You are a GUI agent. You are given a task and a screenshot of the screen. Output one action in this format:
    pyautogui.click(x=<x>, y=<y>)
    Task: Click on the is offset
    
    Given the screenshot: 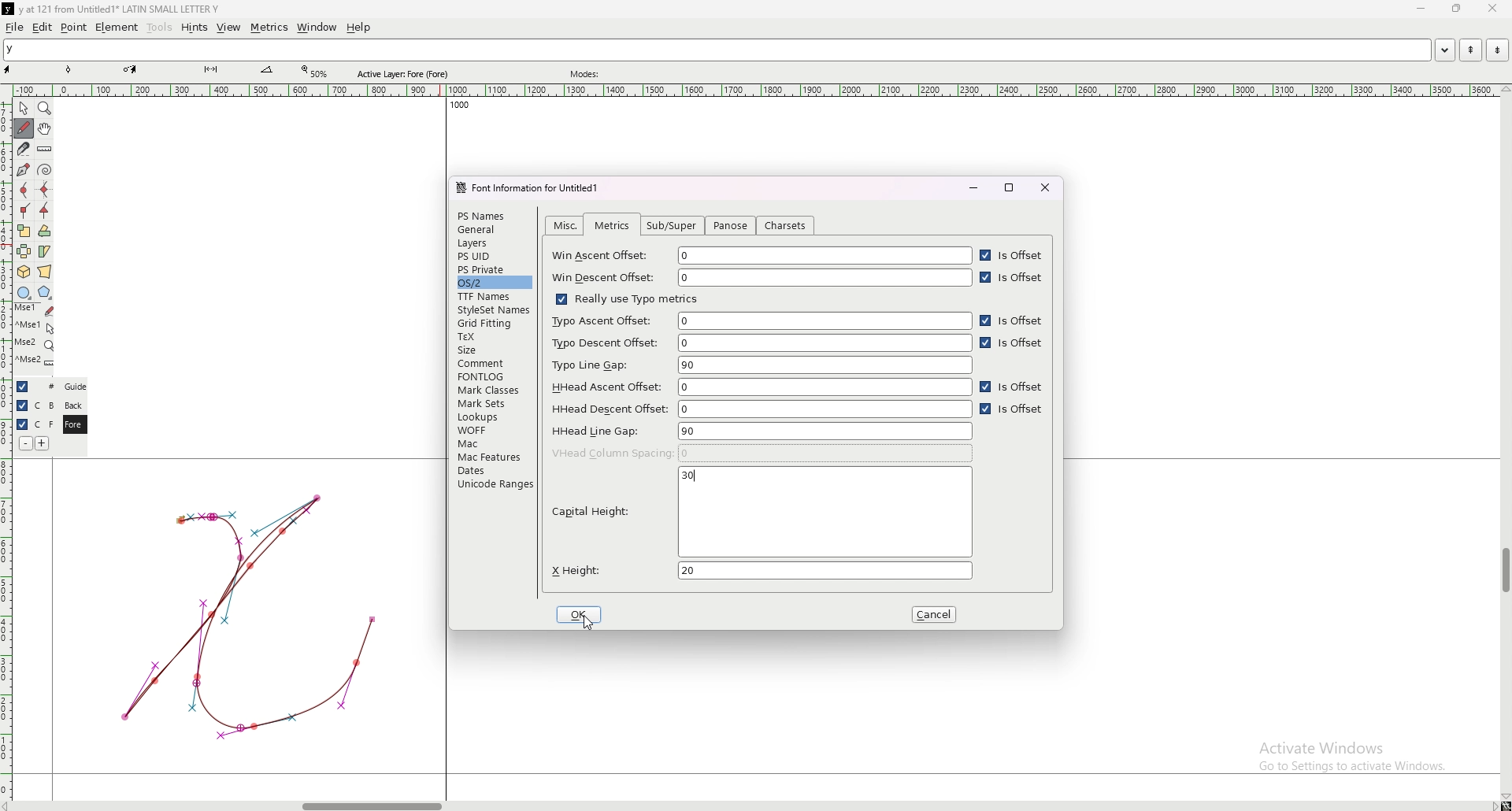 What is the action you would take?
    pyautogui.click(x=1013, y=320)
    